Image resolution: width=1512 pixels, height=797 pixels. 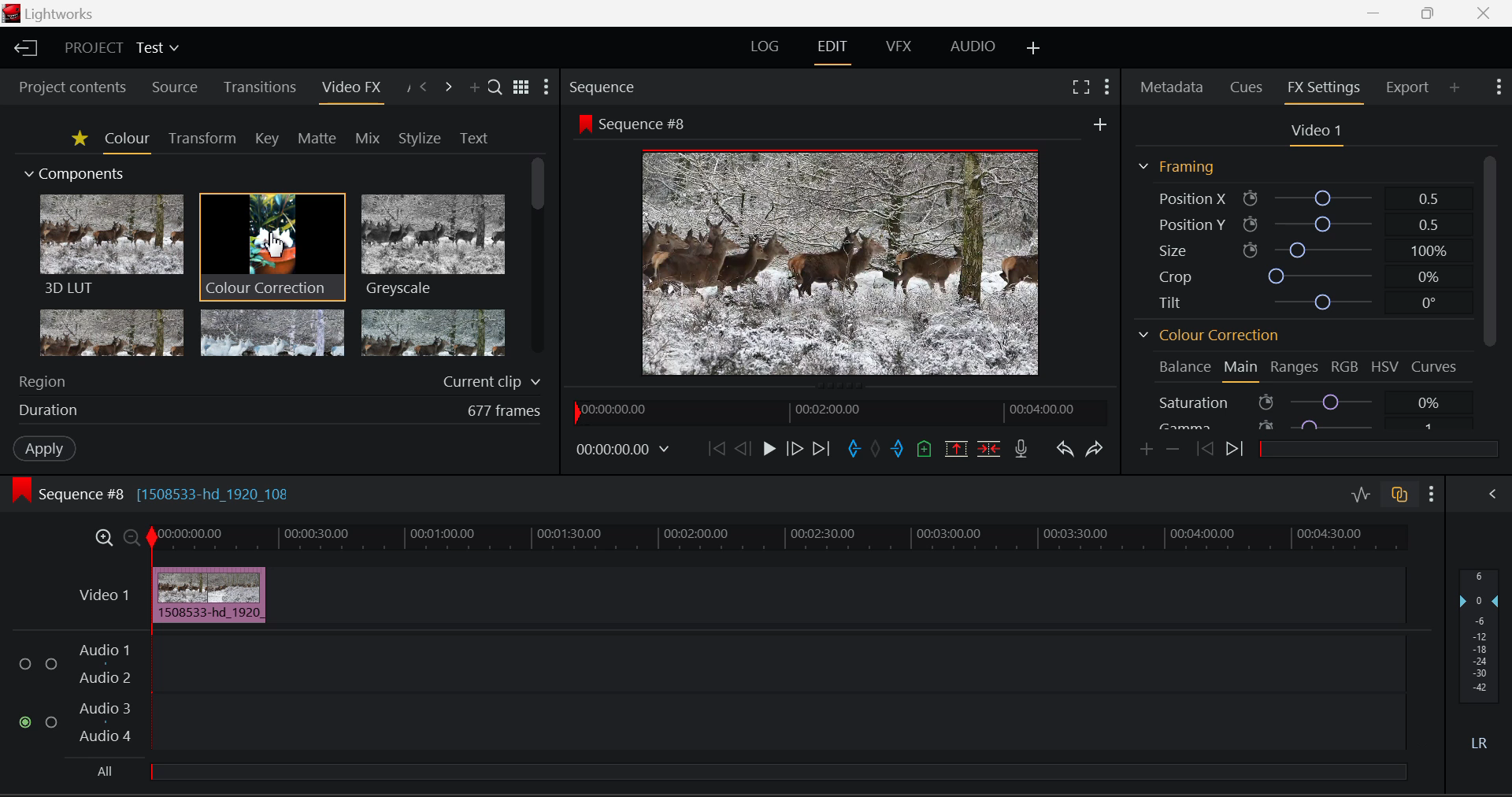 What do you see at coordinates (1172, 88) in the screenshot?
I see `Metadata` at bounding box center [1172, 88].